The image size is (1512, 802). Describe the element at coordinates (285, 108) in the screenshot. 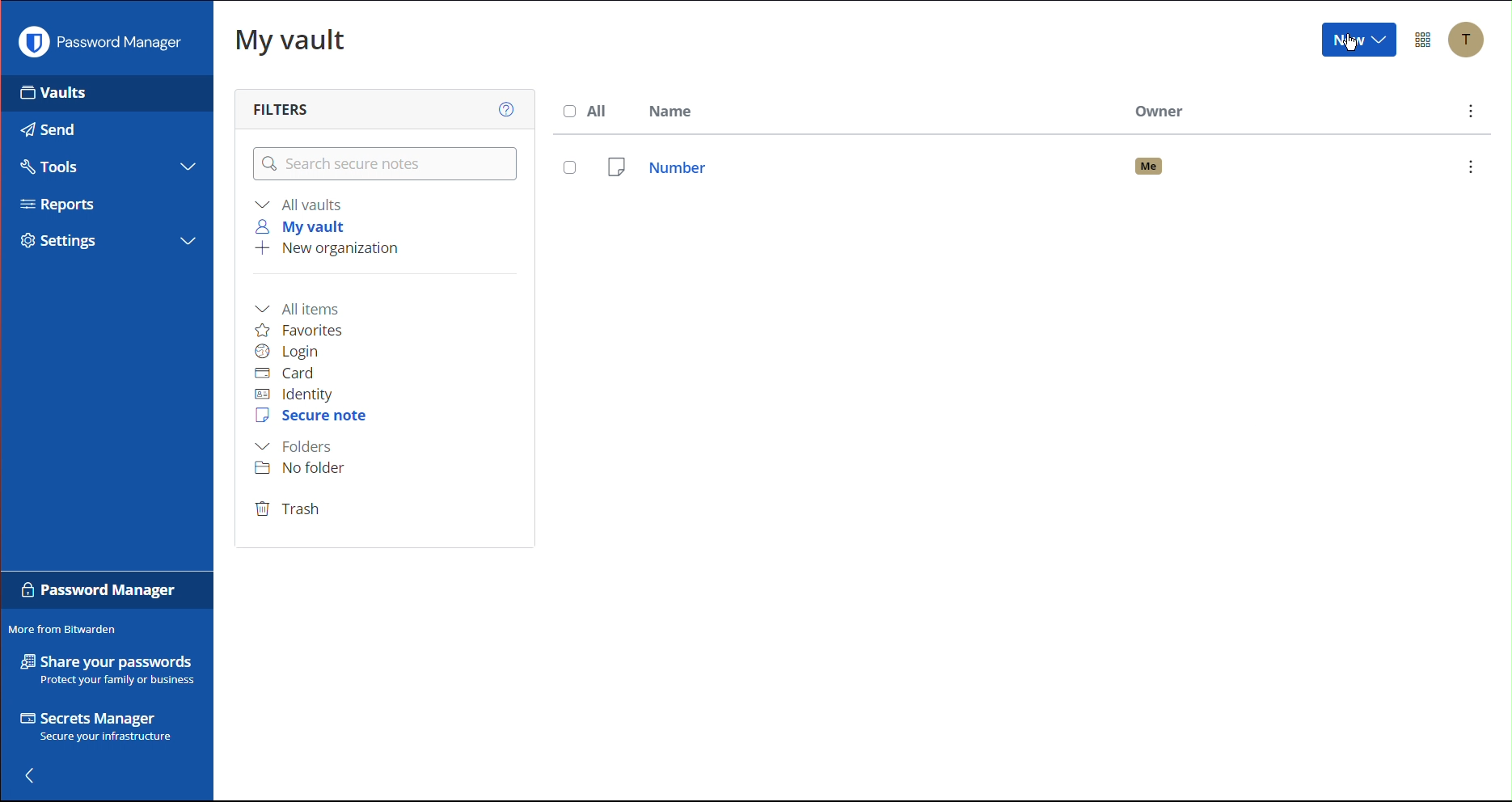

I see `Filters` at that location.